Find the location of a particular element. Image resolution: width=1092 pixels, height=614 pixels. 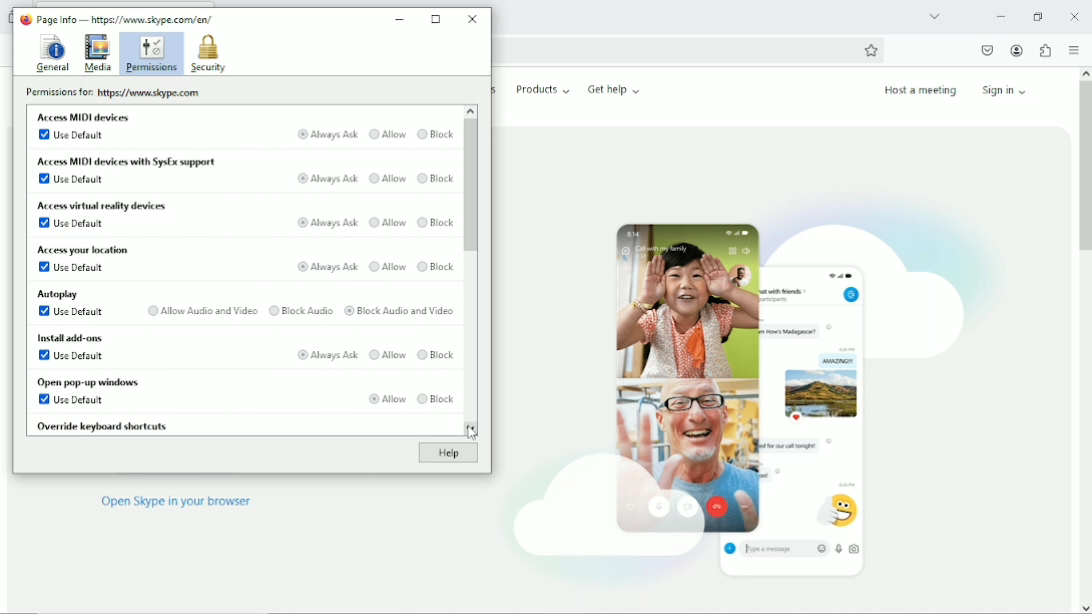

Block audio is located at coordinates (299, 309).